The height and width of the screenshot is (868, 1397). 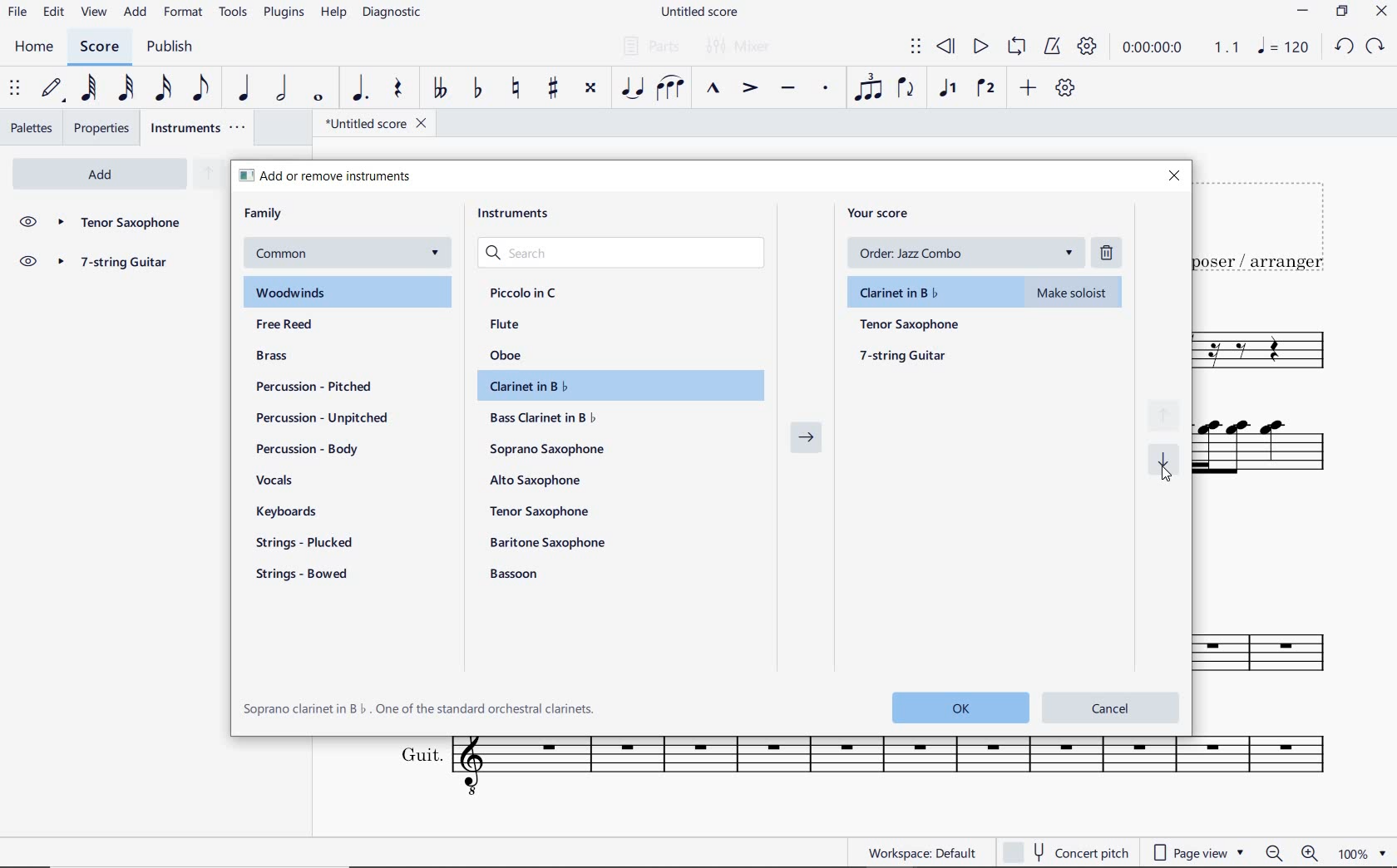 I want to click on FILE, so click(x=17, y=11).